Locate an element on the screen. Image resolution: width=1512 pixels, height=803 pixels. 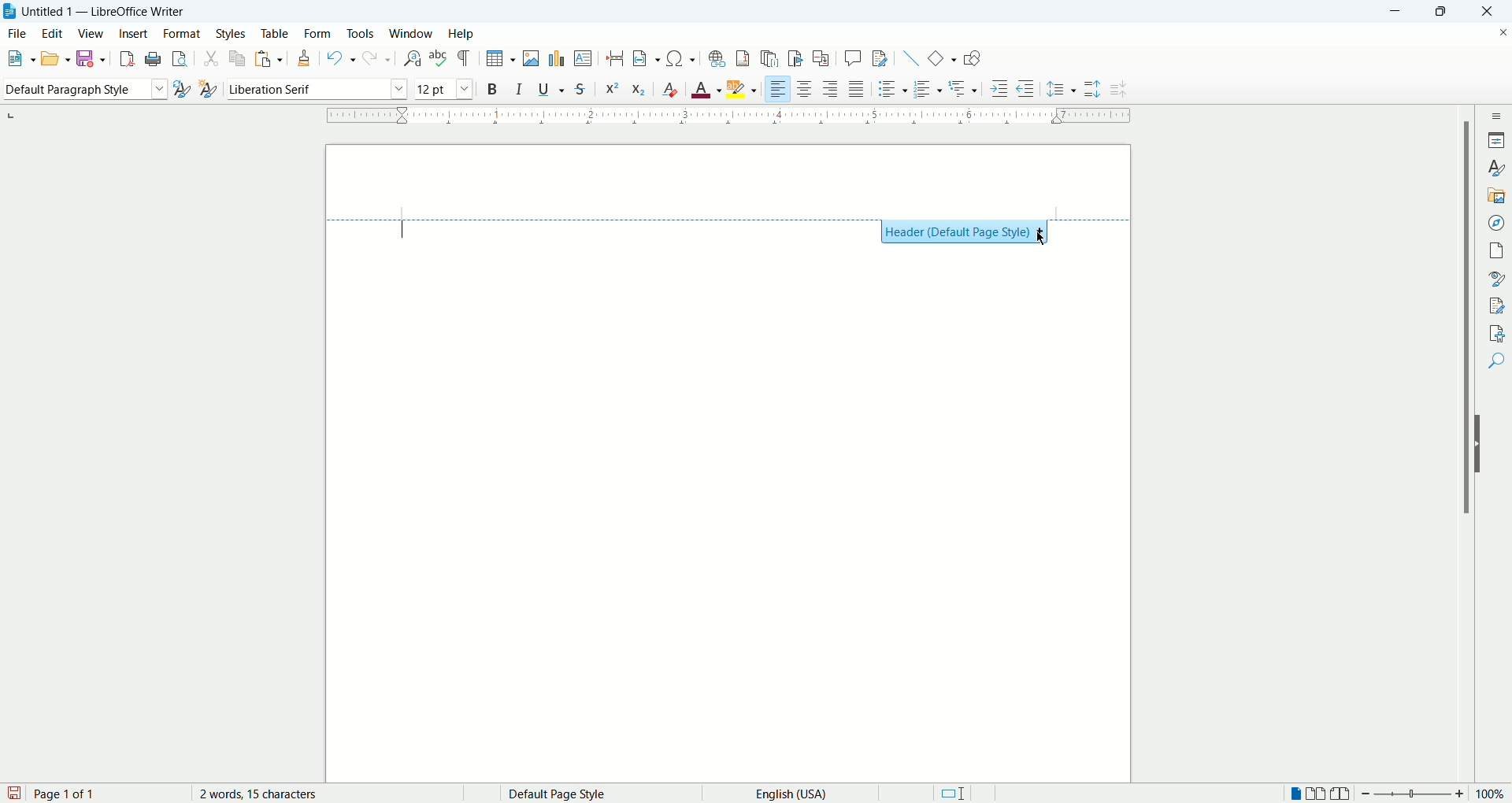
paste is located at coordinates (268, 59).